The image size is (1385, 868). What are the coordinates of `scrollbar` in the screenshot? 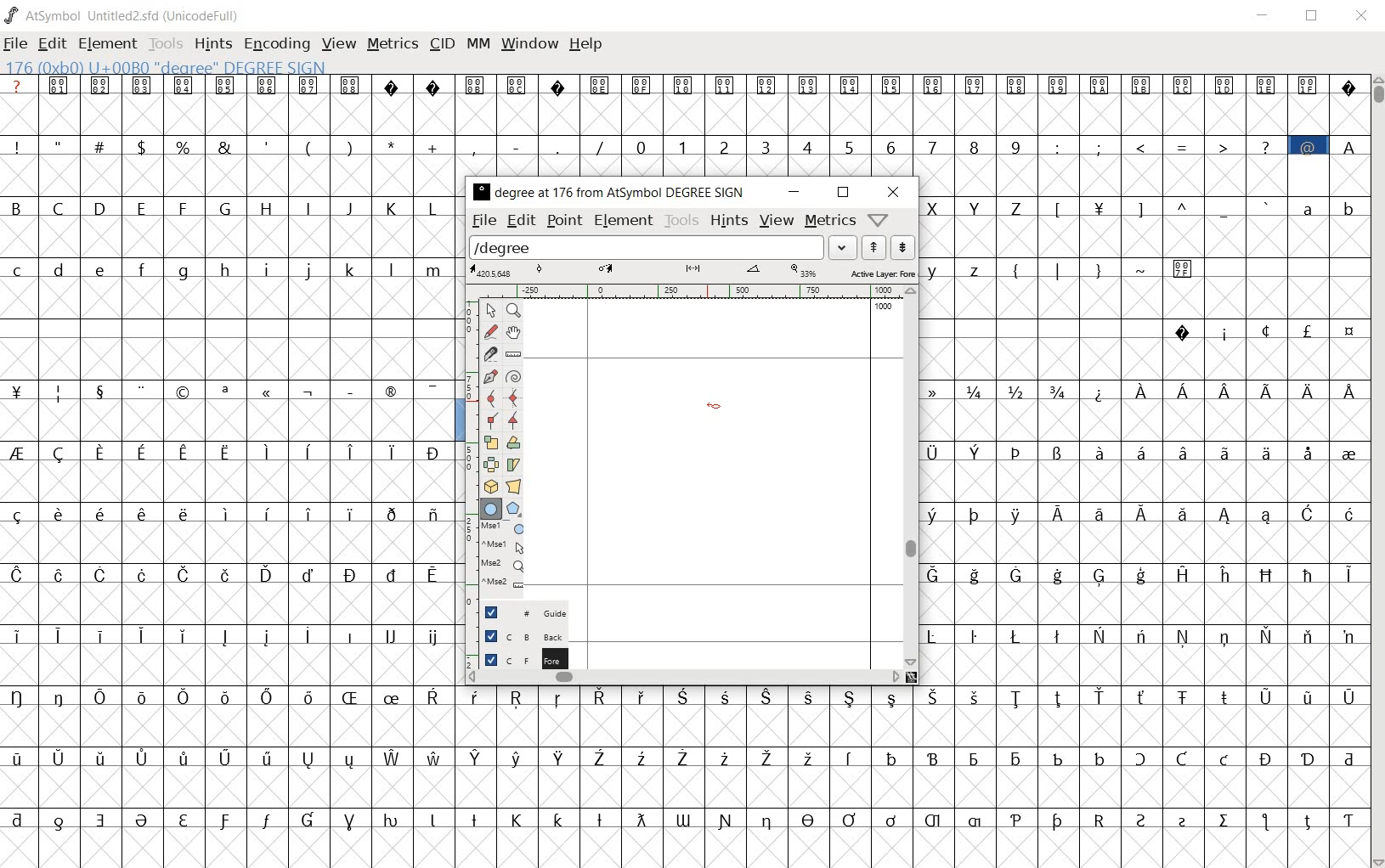 It's located at (909, 477).